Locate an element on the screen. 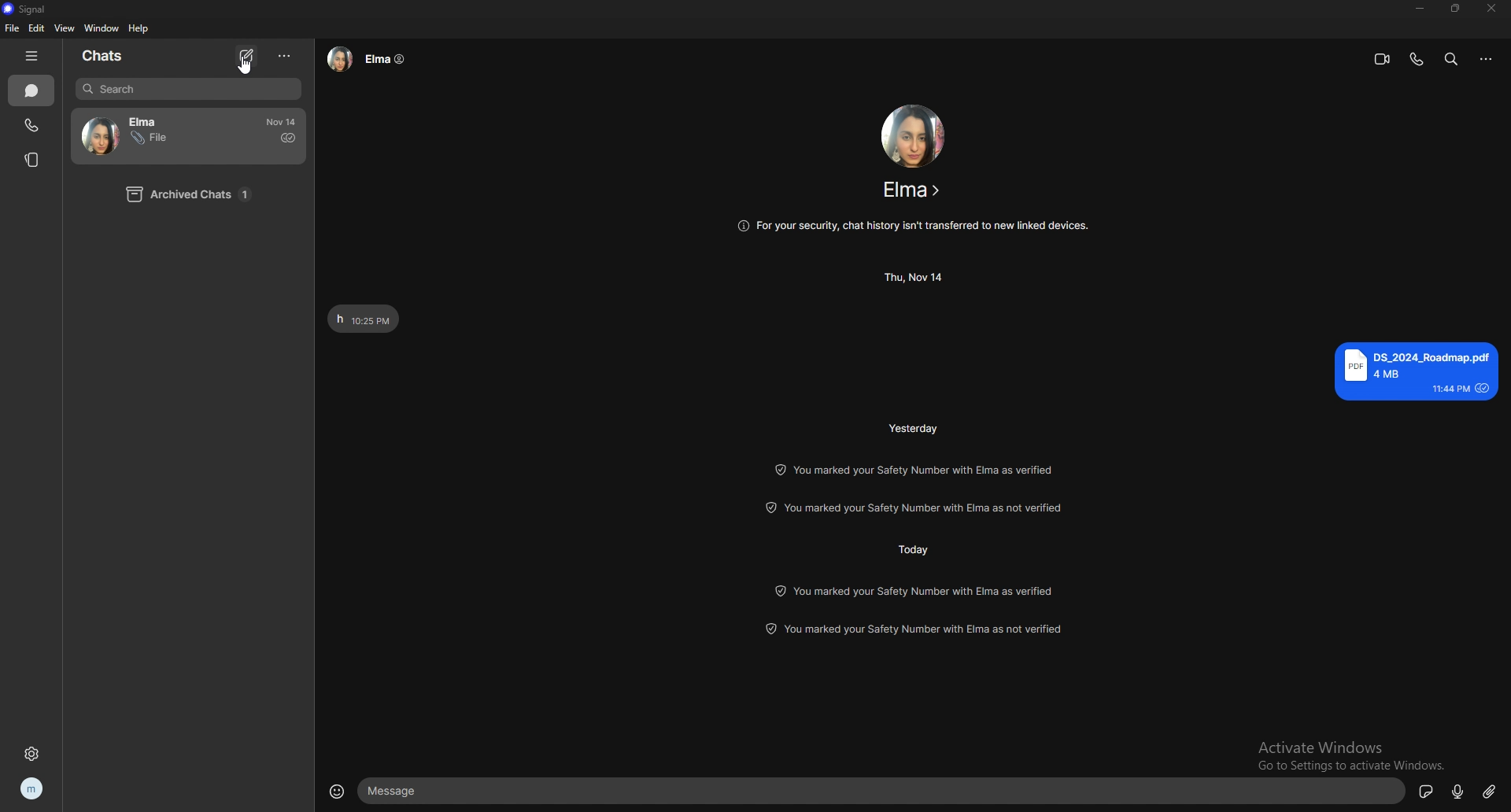  message search is located at coordinates (1451, 58).